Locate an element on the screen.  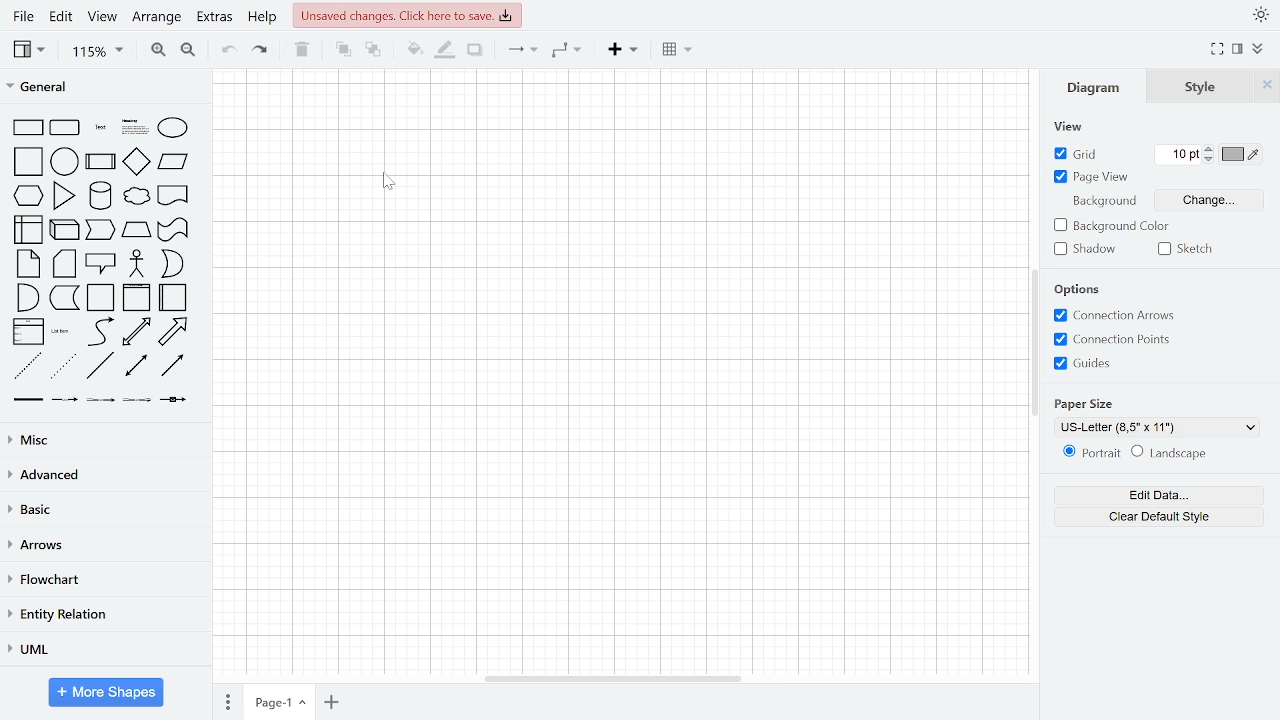
add page is located at coordinates (331, 700).